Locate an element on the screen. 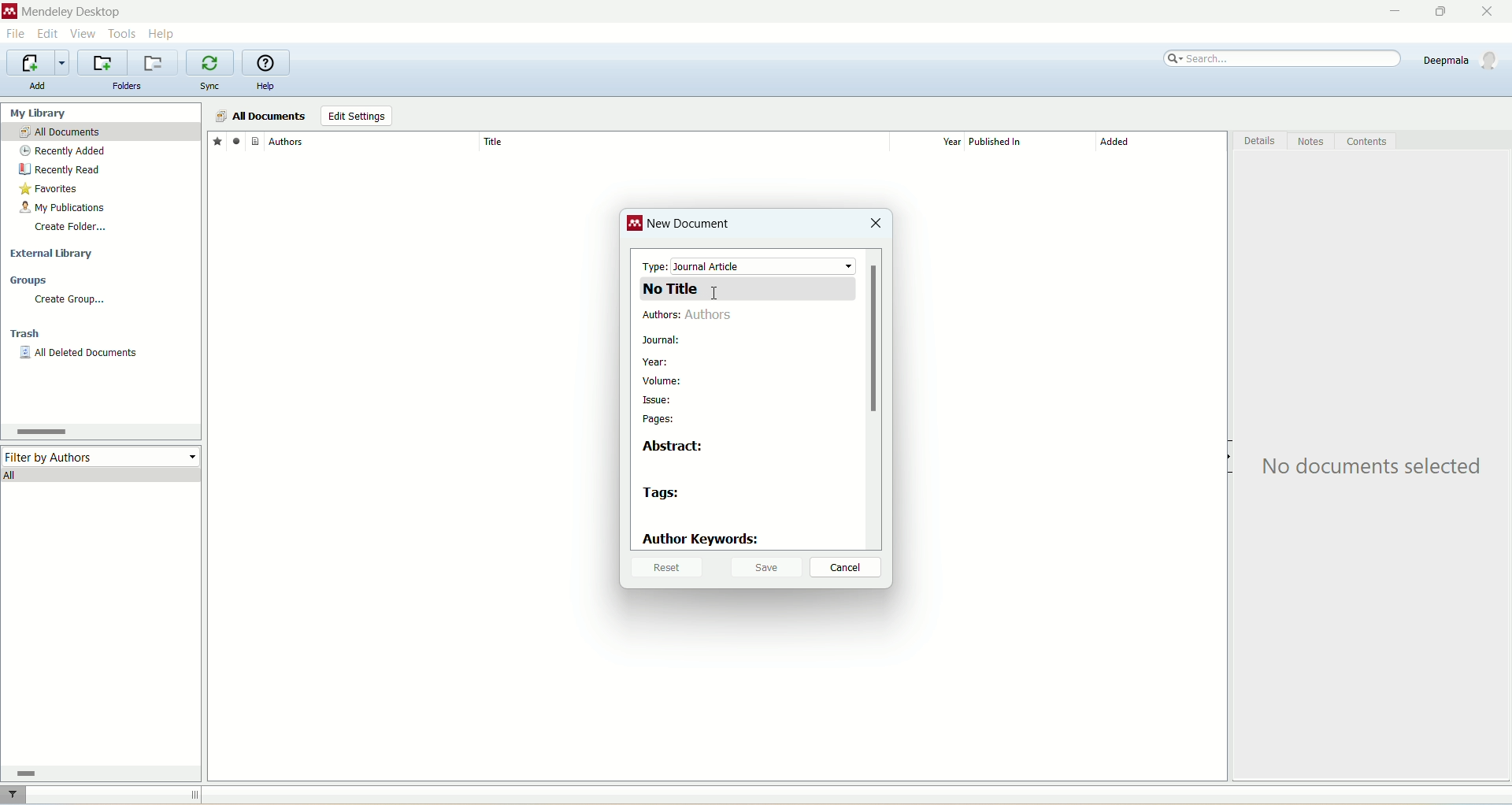 The width and height of the screenshot is (1512, 805). read/unread is located at coordinates (234, 140).